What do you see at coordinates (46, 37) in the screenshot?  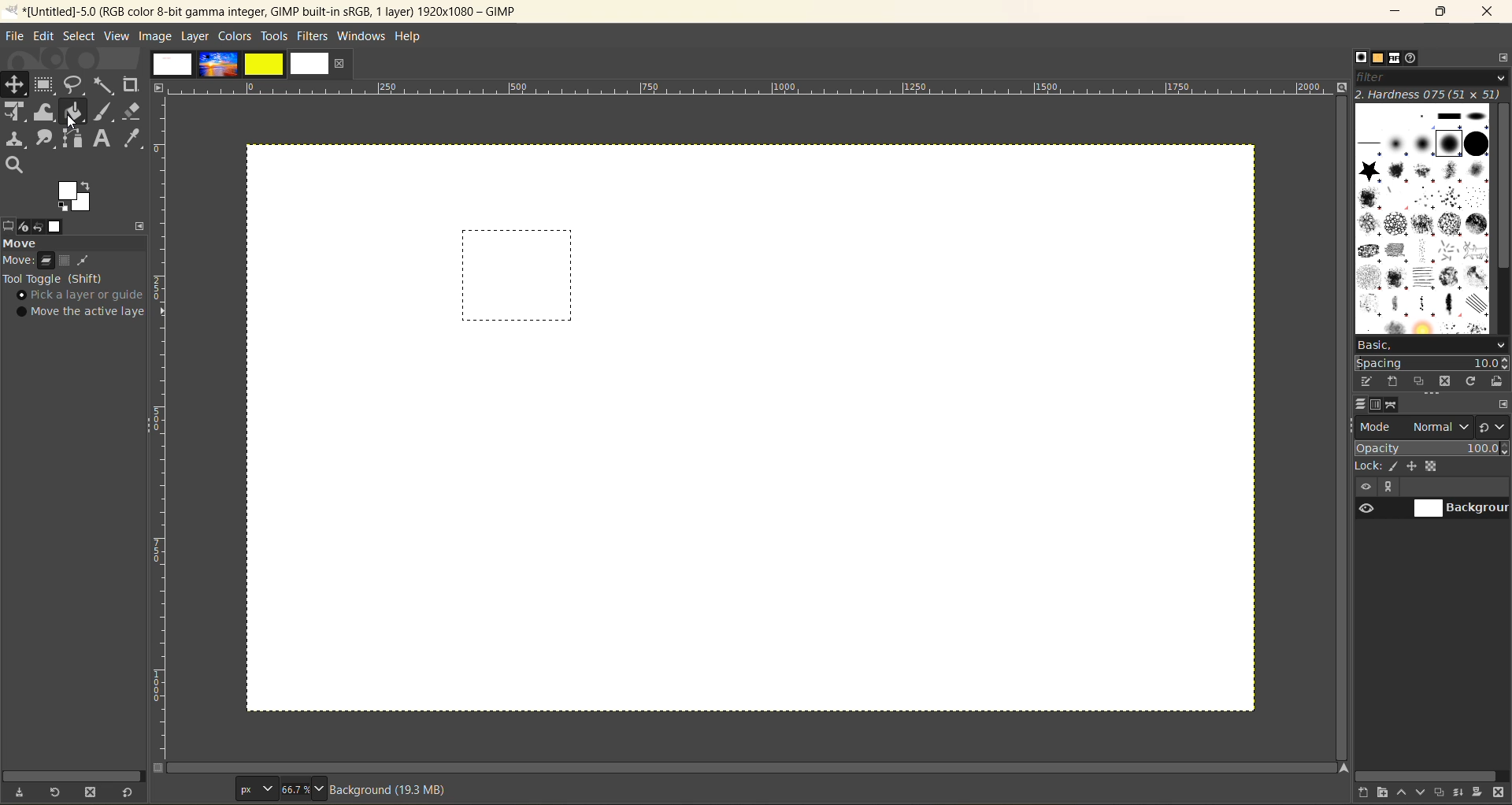 I see `edit` at bounding box center [46, 37].